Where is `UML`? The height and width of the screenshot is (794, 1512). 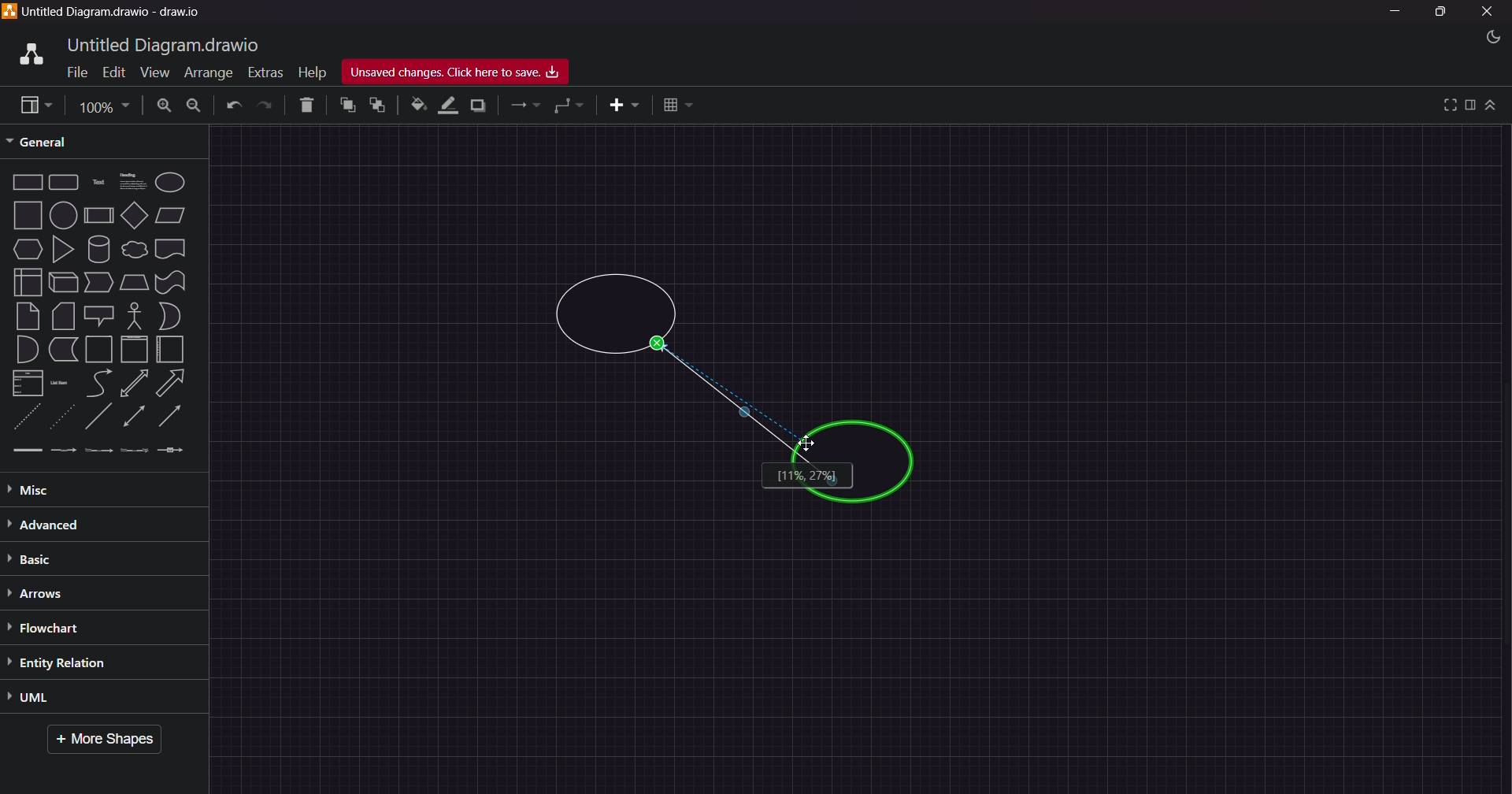 UML is located at coordinates (72, 699).